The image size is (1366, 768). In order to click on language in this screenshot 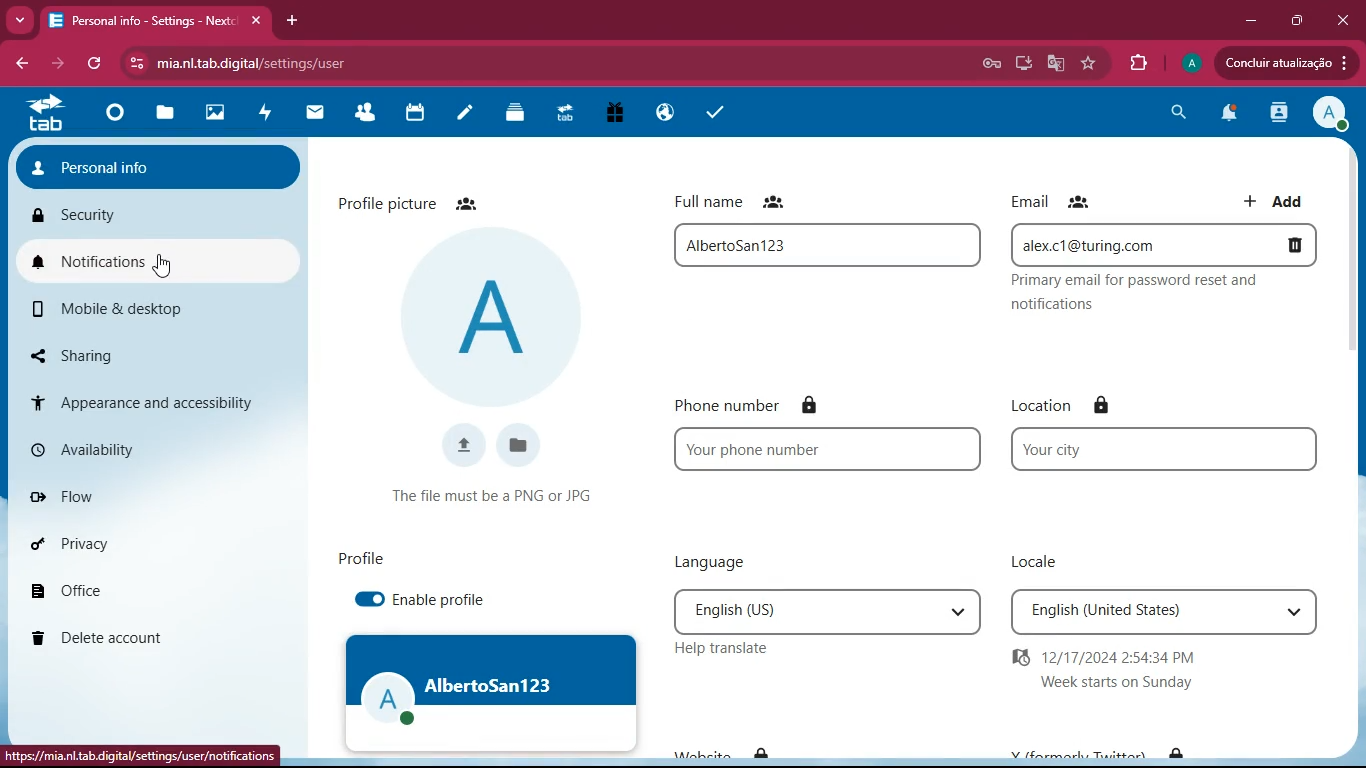, I will do `click(722, 562)`.